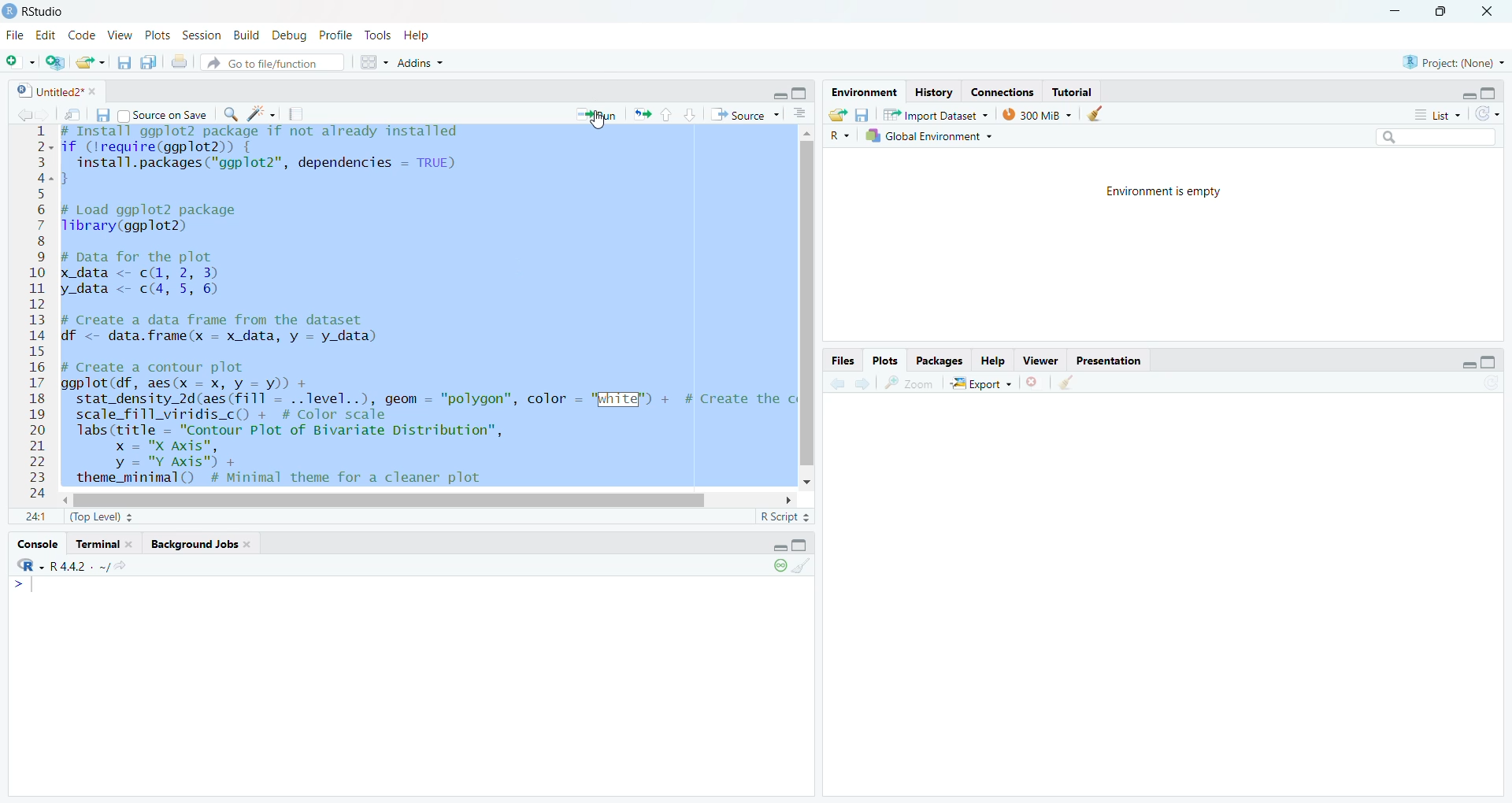 Image resolution: width=1512 pixels, height=803 pixels. What do you see at coordinates (1492, 92) in the screenshot?
I see `hide console` at bounding box center [1492, 92].